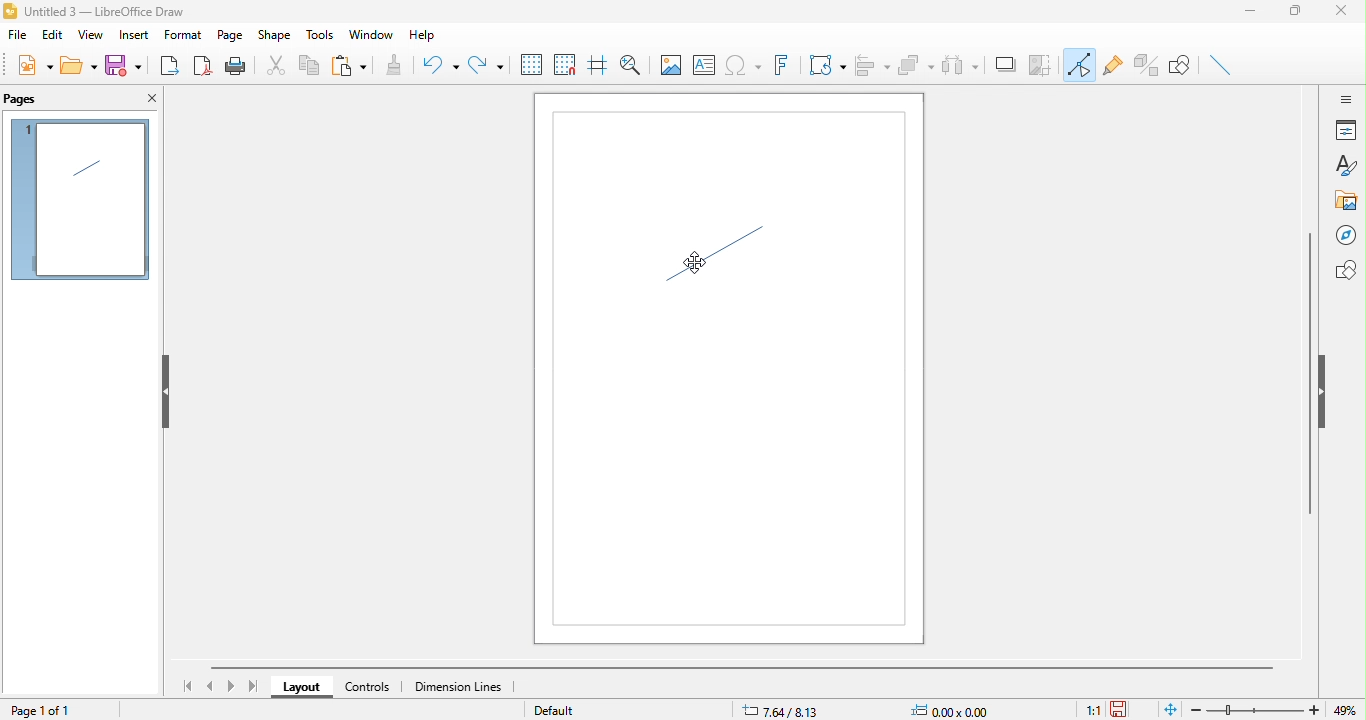  Describe the element at coordinates (231, 687) in the screenshot. I see `next page` at that location.